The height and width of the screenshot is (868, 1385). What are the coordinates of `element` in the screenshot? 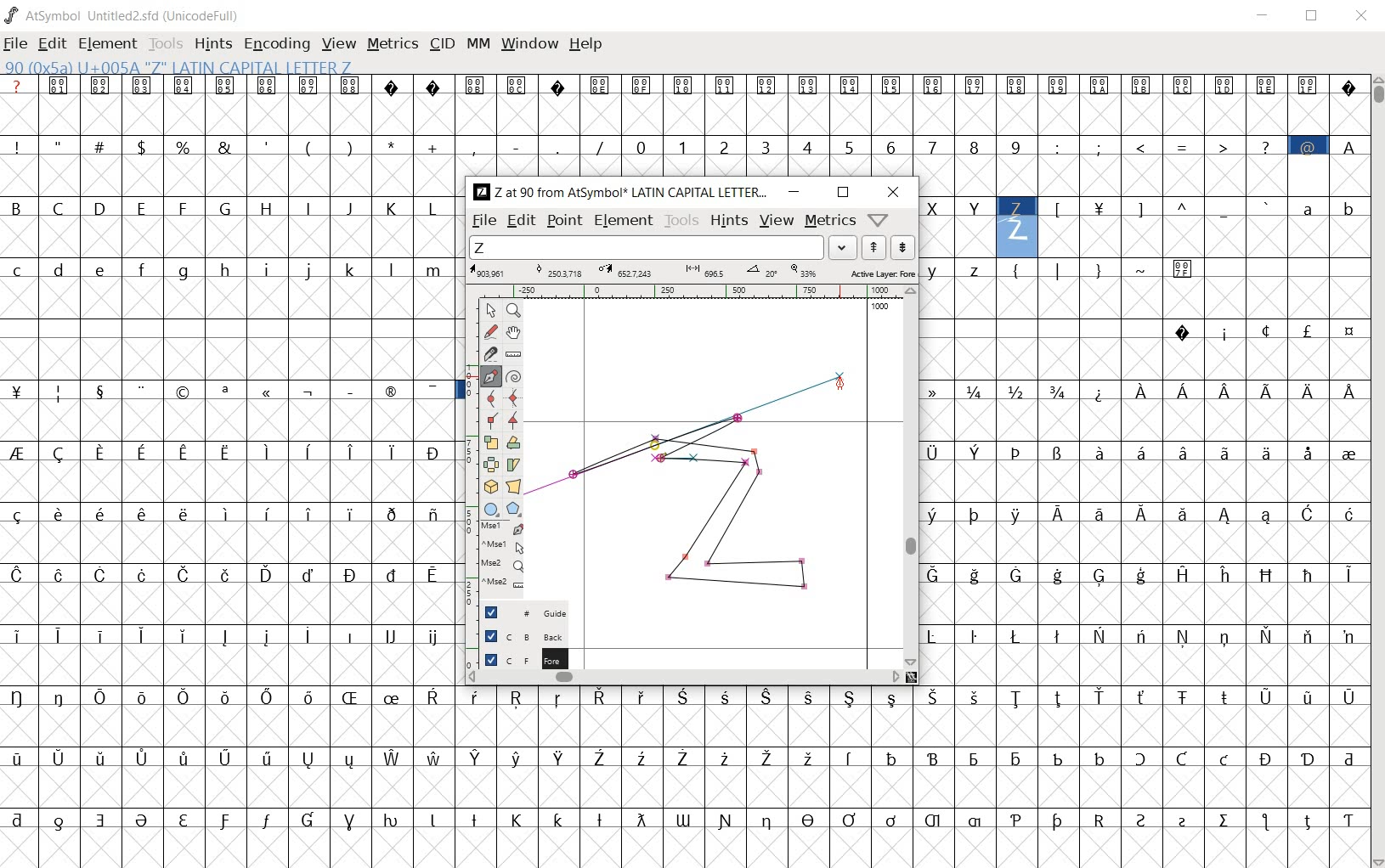 It's located at (624, 219).